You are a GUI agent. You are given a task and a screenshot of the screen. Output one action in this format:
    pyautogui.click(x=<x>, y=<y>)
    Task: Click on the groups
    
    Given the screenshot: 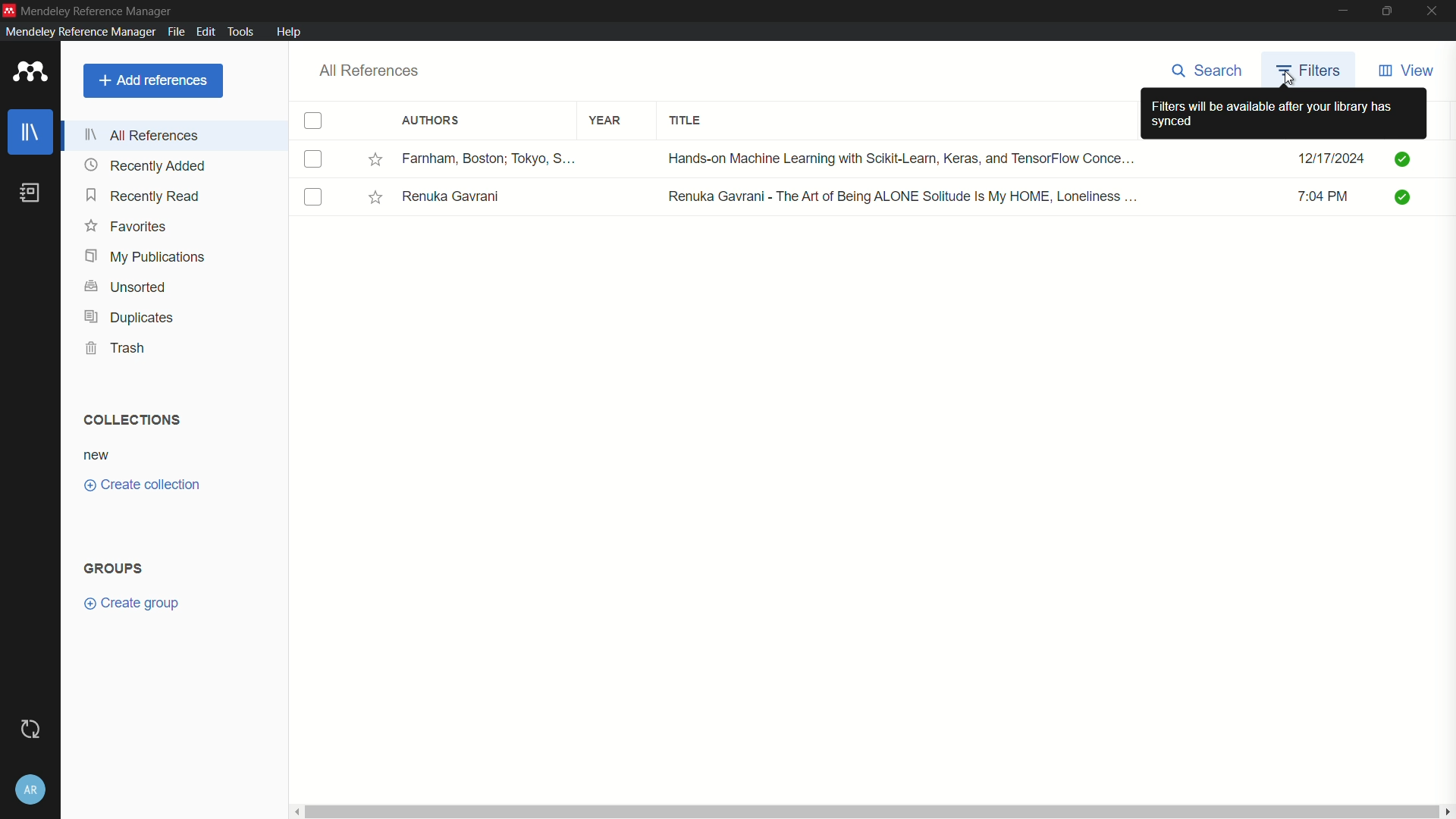 What is the action you would take?
    pyautogui.click(x=112, y=569)
    